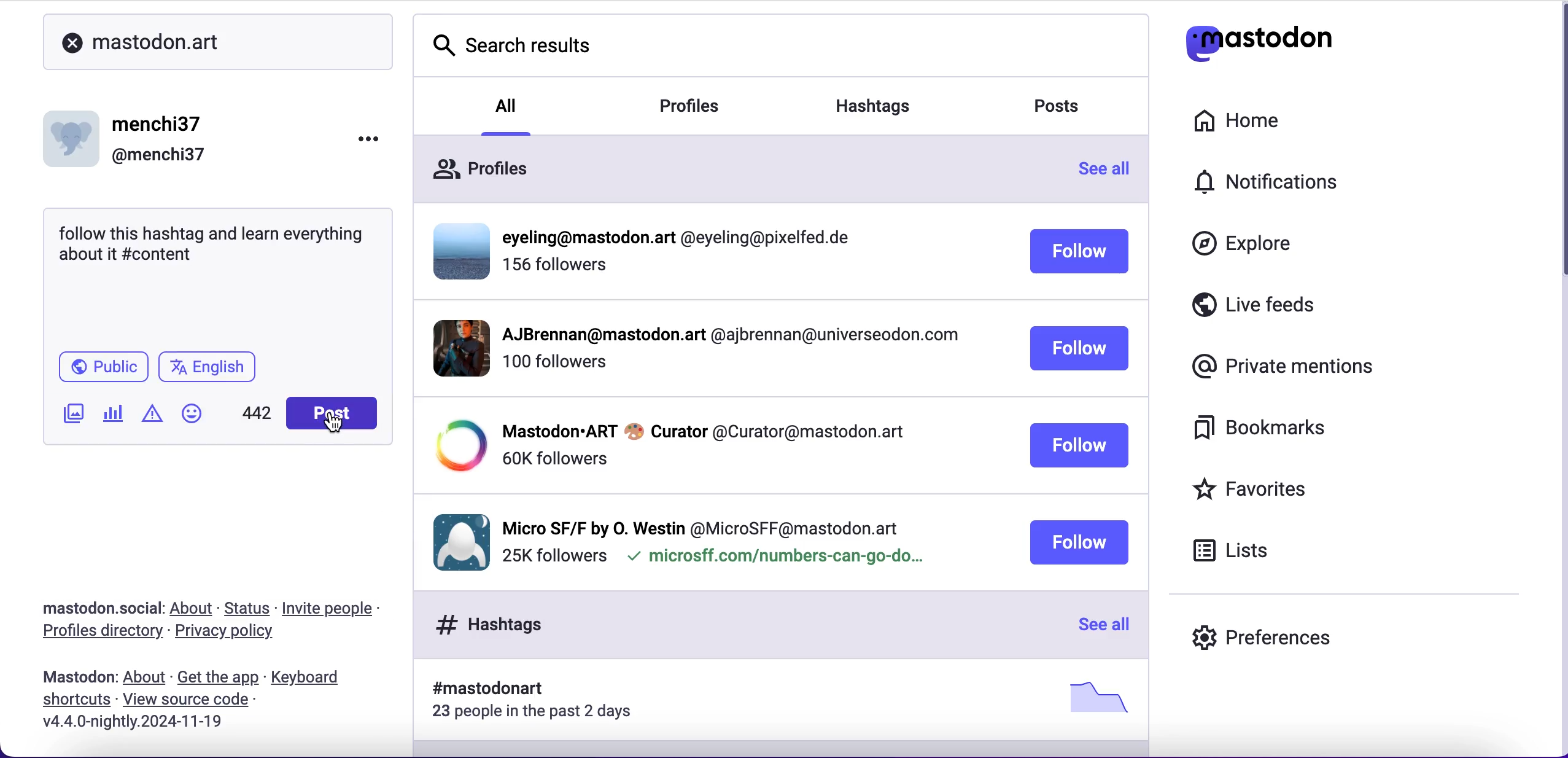 This screenshot has width=1568, height=758. What do you see at coordinates (1282, 488) in the screenshot?
I see `favorites` at bounding box center [1282, 488].